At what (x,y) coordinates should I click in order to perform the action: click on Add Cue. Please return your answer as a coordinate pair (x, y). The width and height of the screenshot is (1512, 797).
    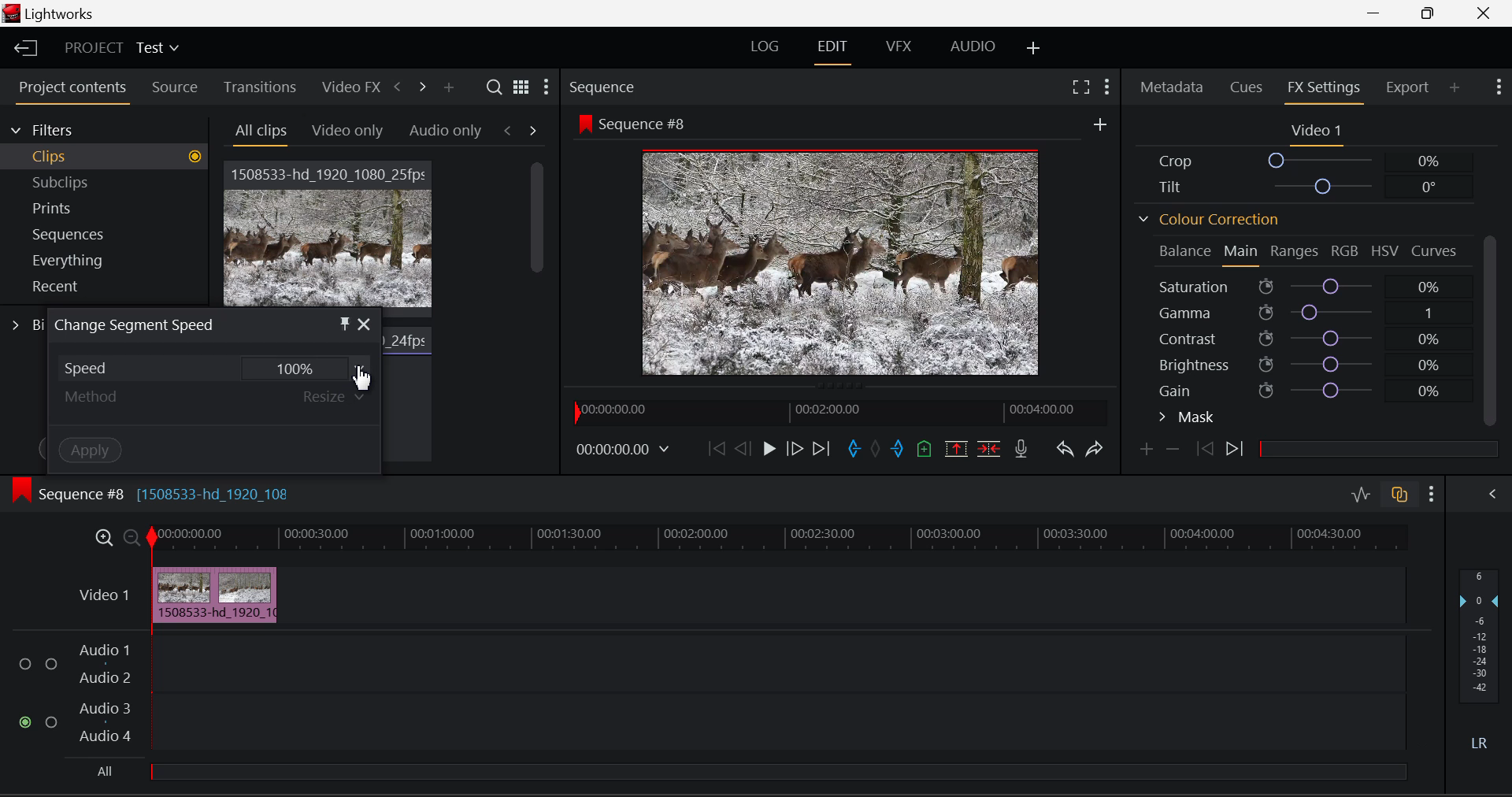
    Looking at the image, I should click on (925, 449).